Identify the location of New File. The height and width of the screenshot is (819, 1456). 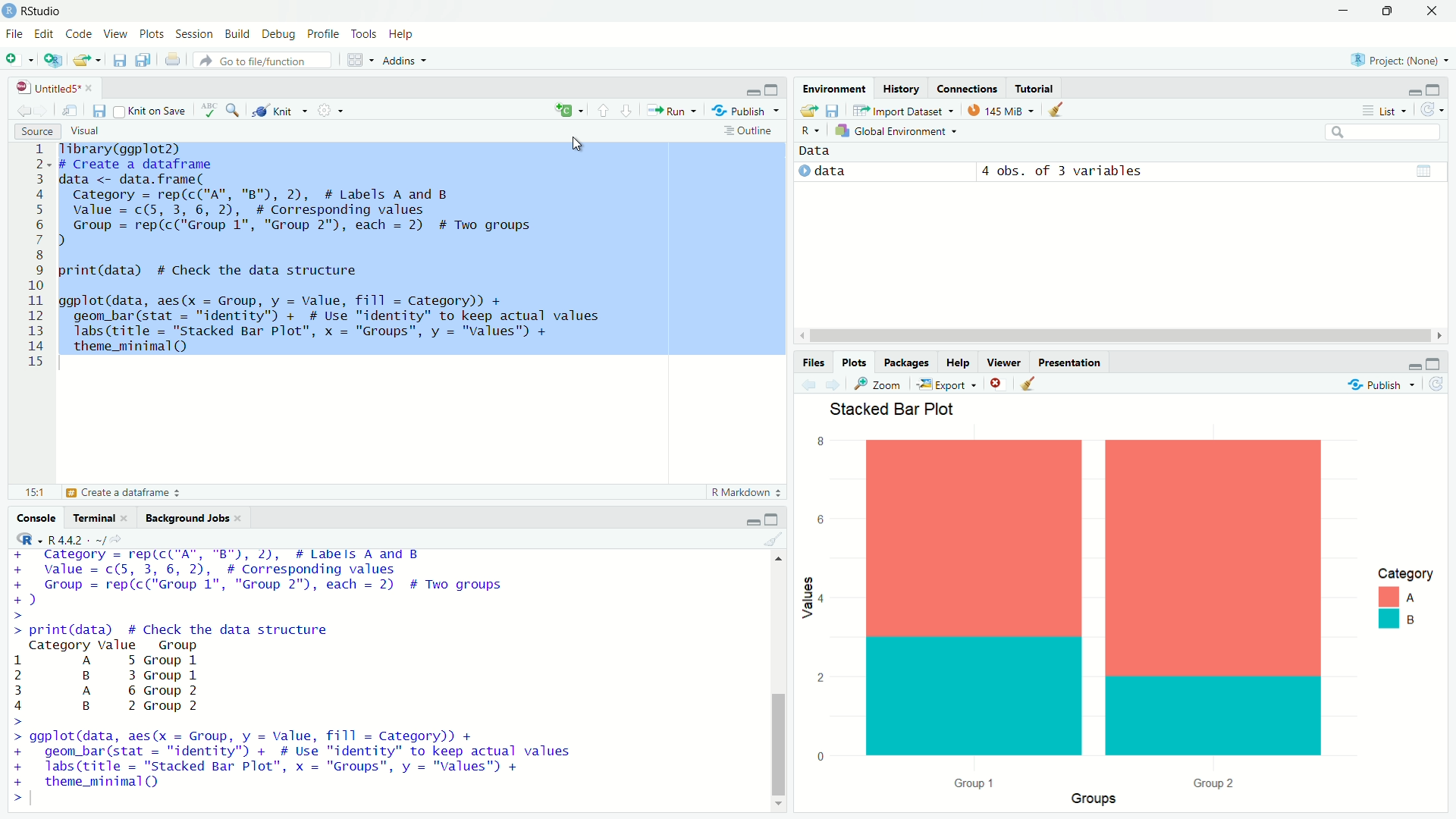
(21, 60).